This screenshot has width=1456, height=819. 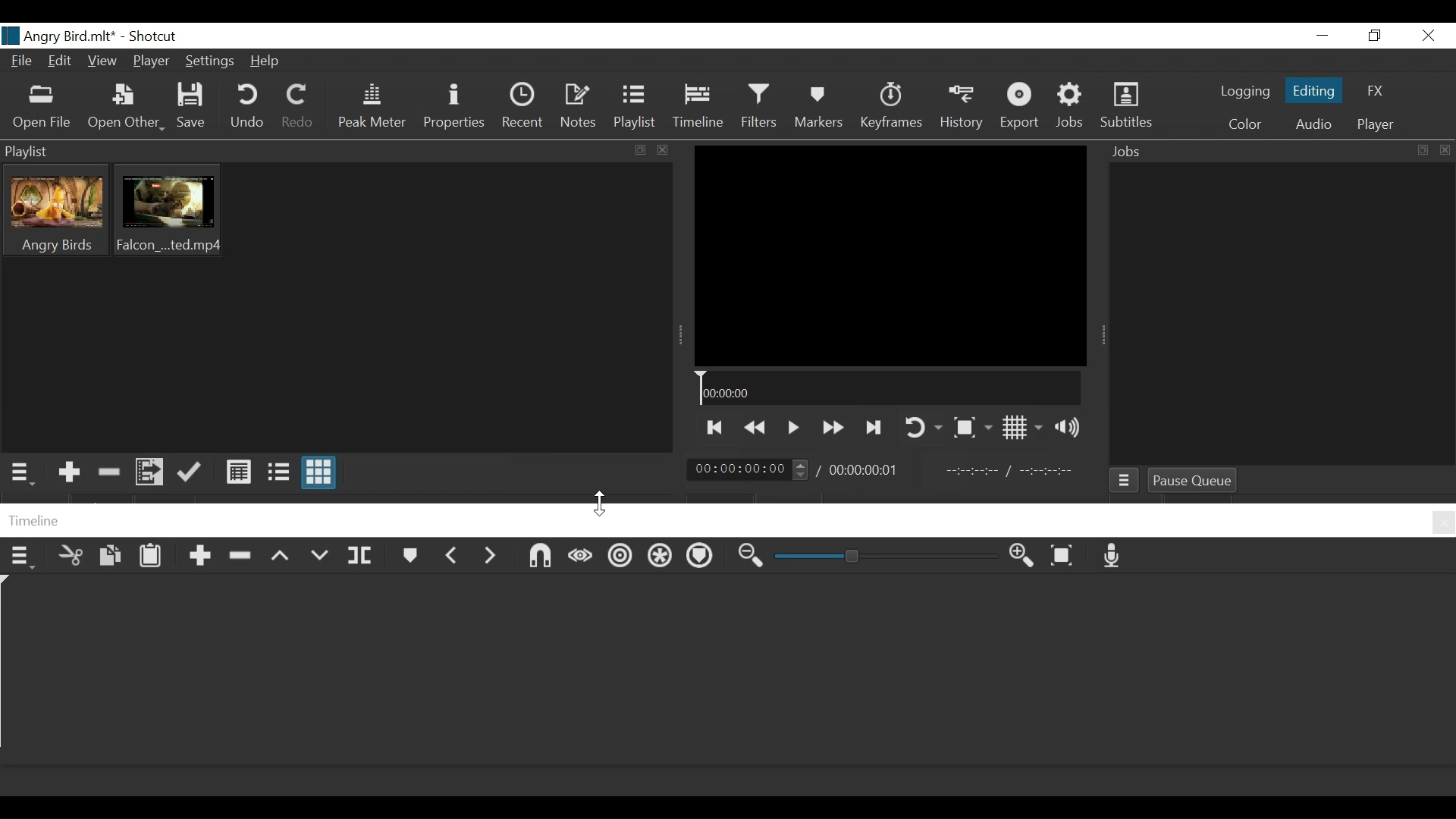 I want to click on Jobs , so click(x=1123, y=480).